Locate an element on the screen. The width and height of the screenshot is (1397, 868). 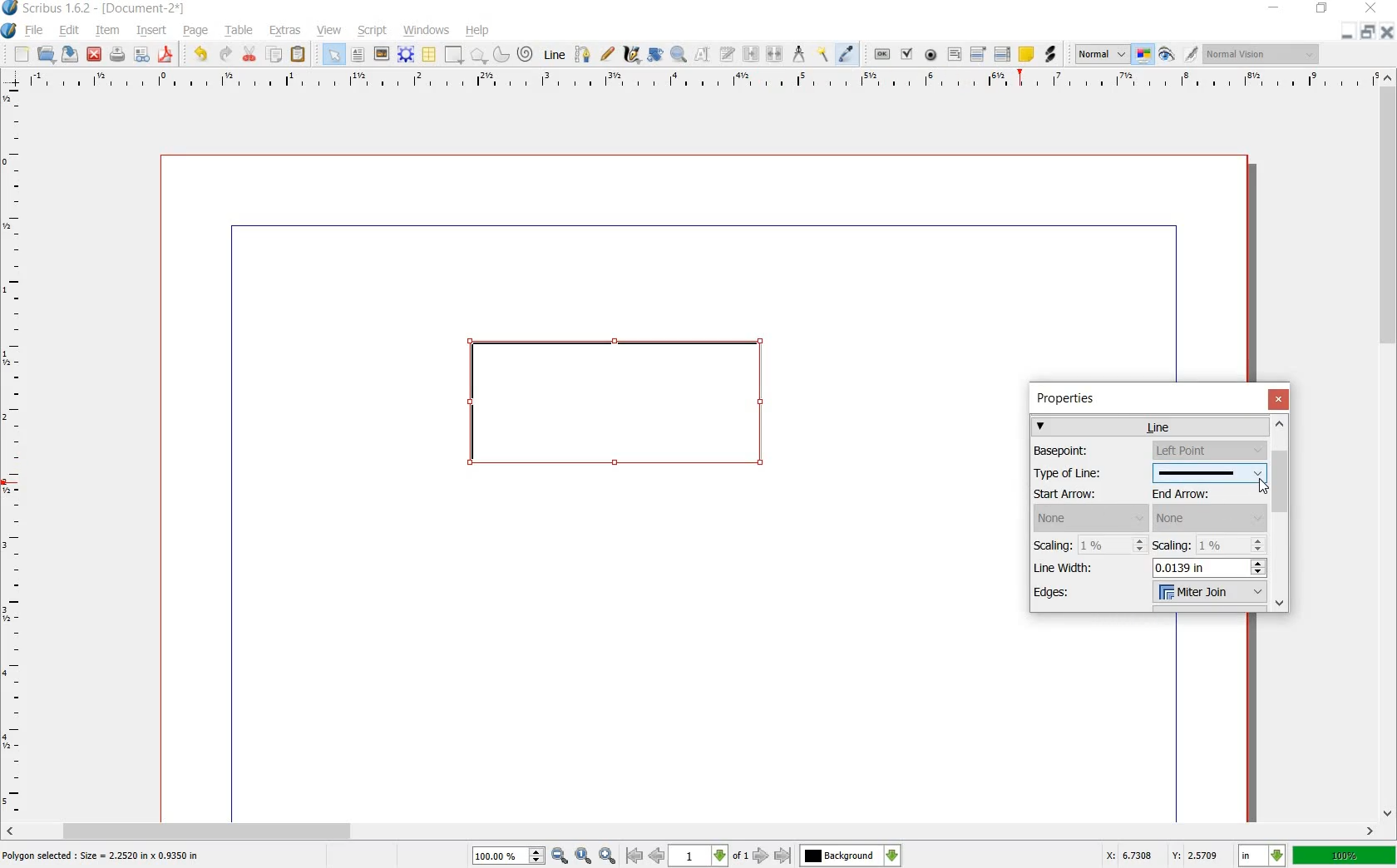
WINDOWS is located at coordinates (427, 31).